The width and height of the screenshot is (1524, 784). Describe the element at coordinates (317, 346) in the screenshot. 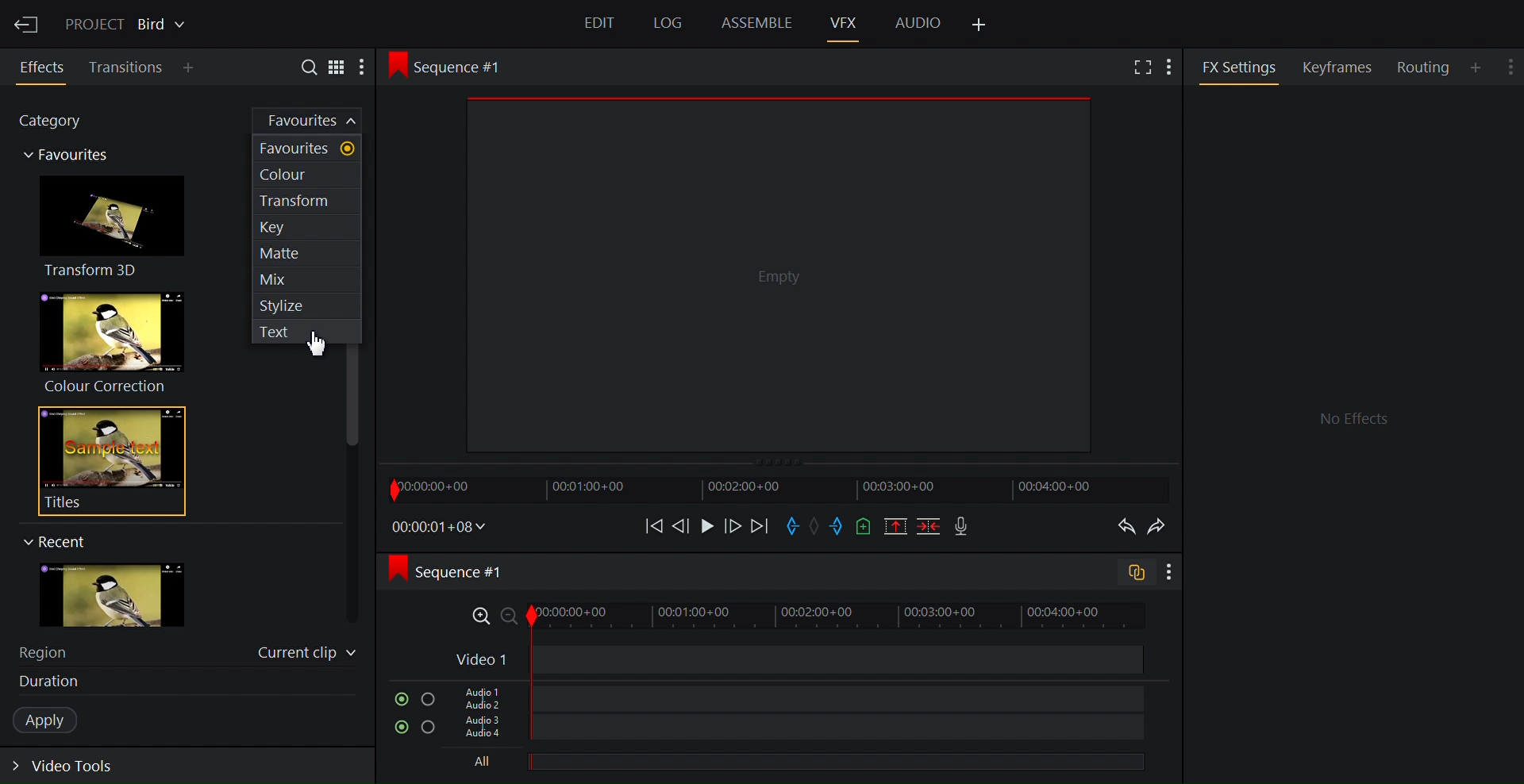

I see `Cursor` at that location.